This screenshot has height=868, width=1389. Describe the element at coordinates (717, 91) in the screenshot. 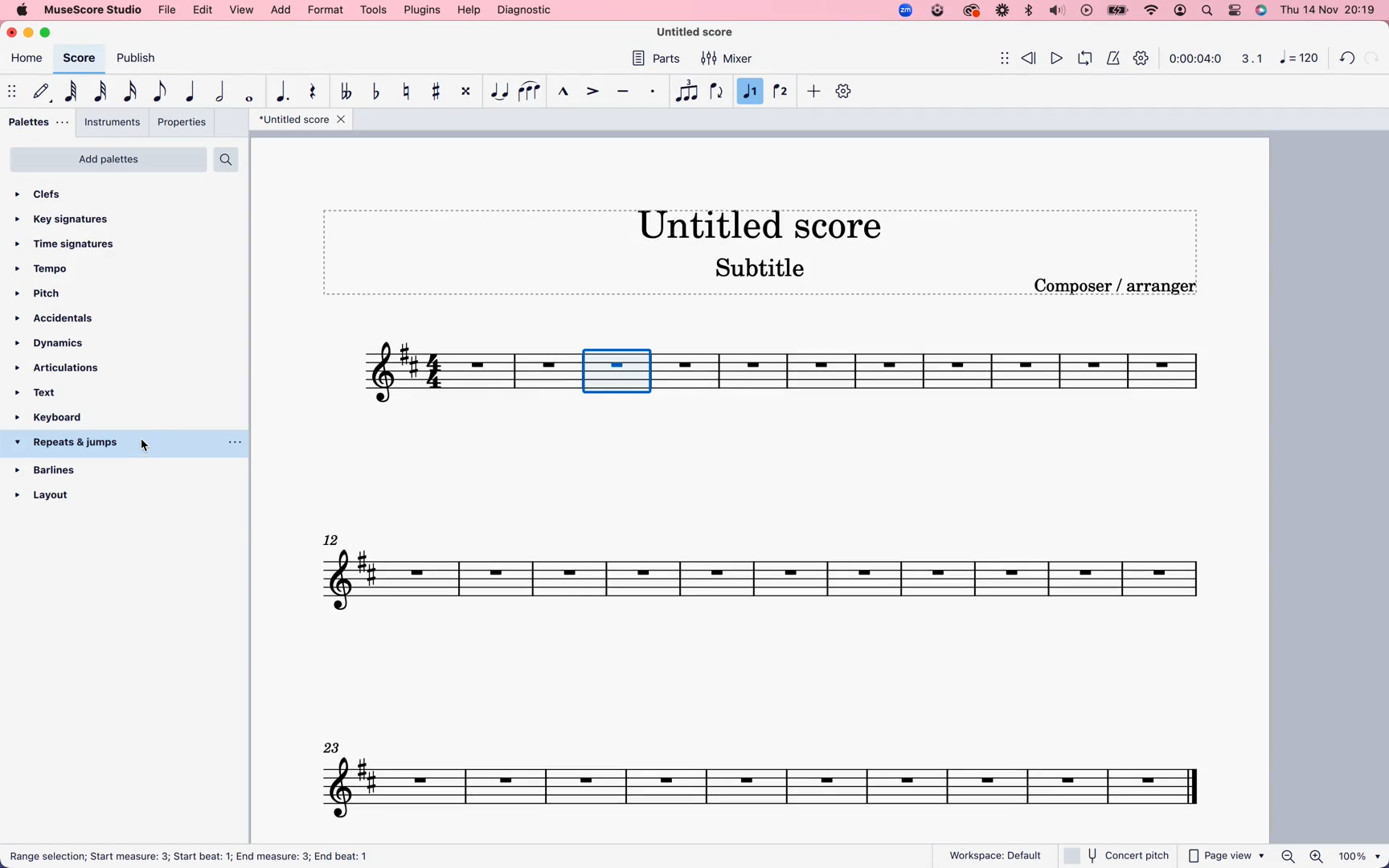

I see `flip direction` at that location.